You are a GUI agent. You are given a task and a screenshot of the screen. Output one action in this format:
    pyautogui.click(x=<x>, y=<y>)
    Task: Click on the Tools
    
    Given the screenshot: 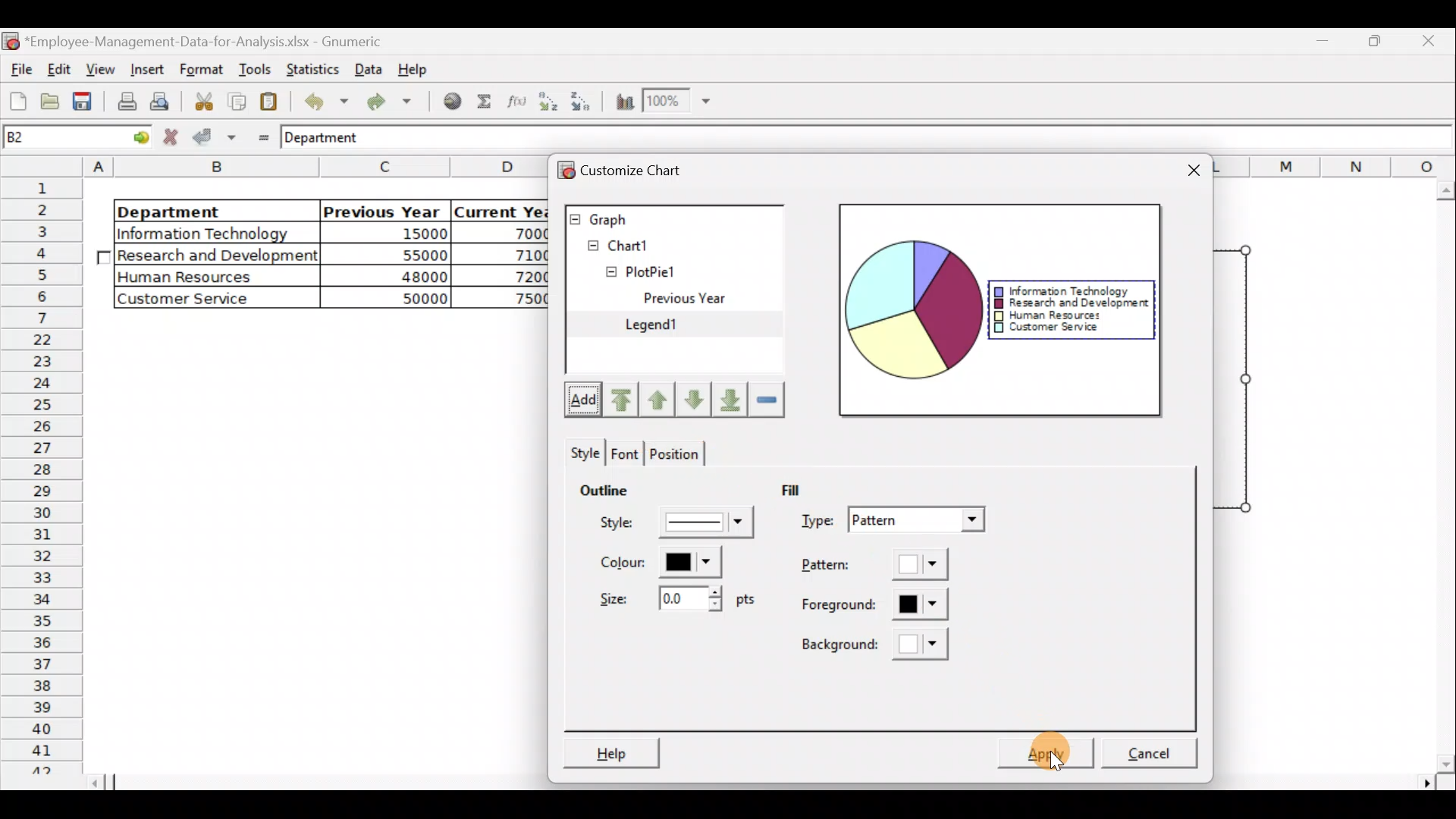 What is the action you would take?
    pyautogui.click(x=251, y=68)
    